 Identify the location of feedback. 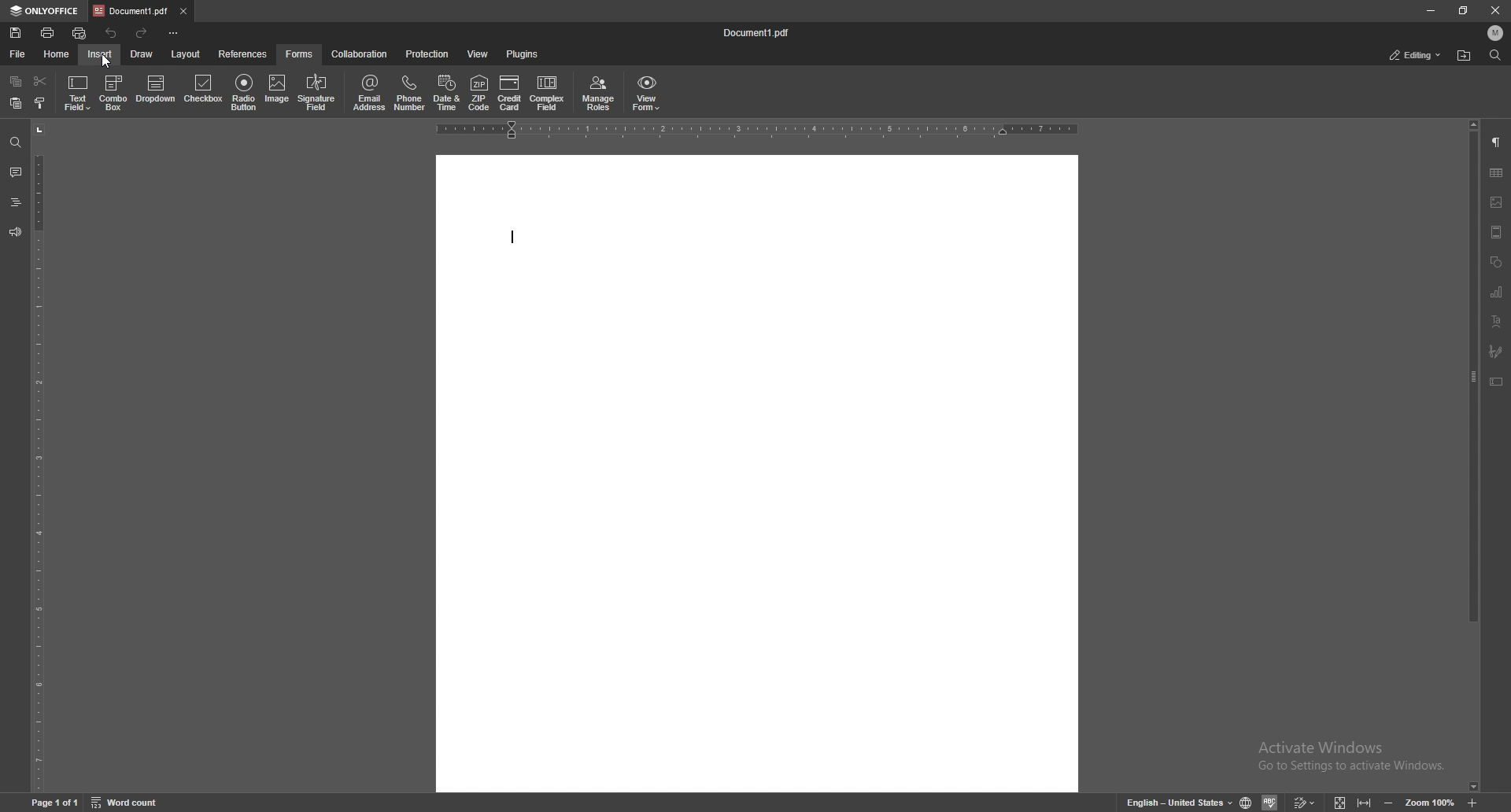
(15, 232).